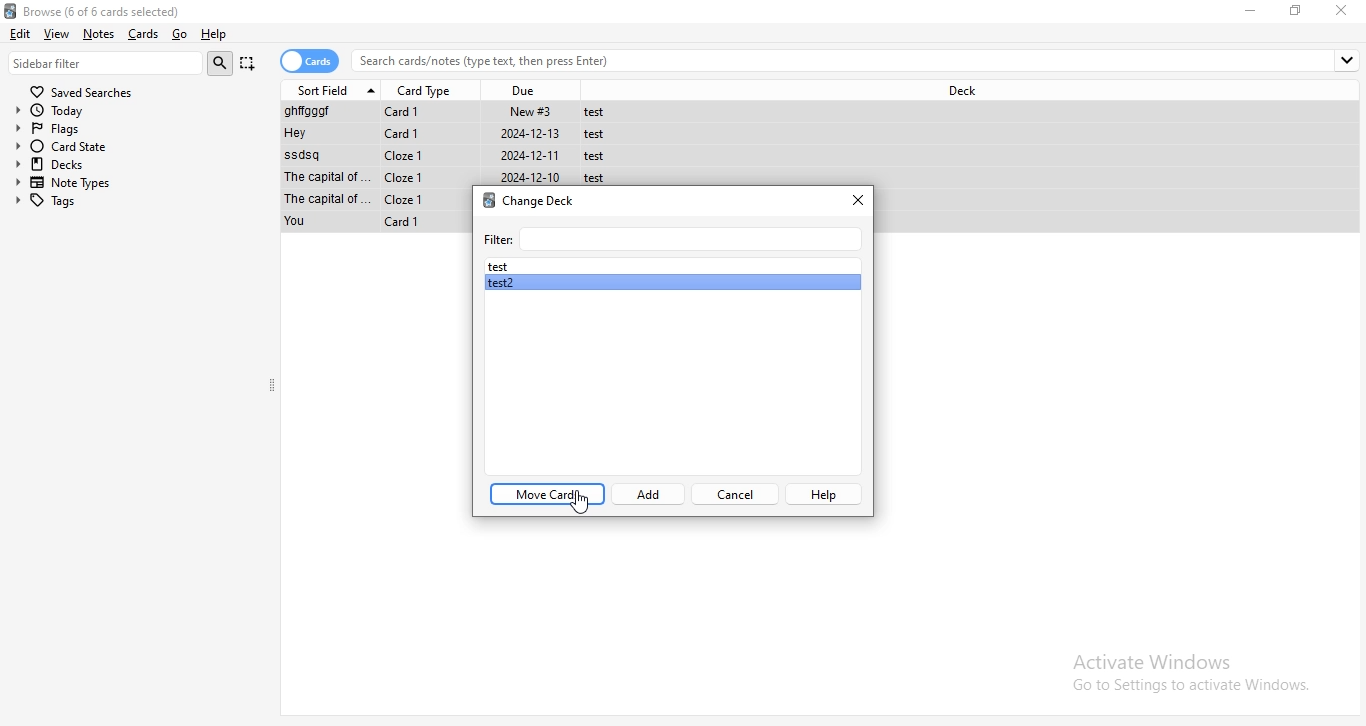 The height and width of the screenshot is (726, 1366). Describe the element at coordinates (428, 89) in the screenshot. I see `card type` at that location.